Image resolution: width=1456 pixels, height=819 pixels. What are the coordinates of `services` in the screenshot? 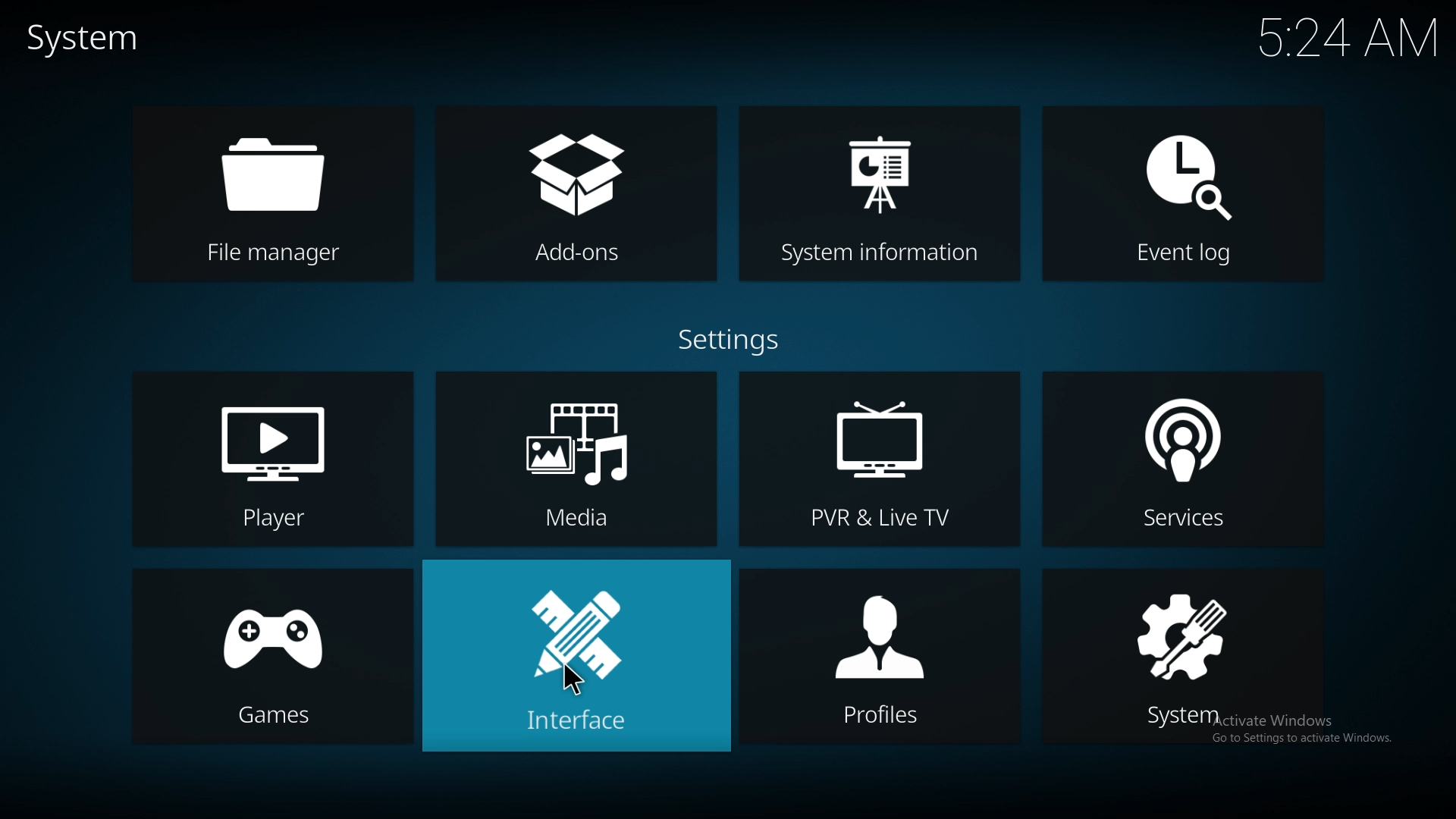 It's located at (1194, 457).